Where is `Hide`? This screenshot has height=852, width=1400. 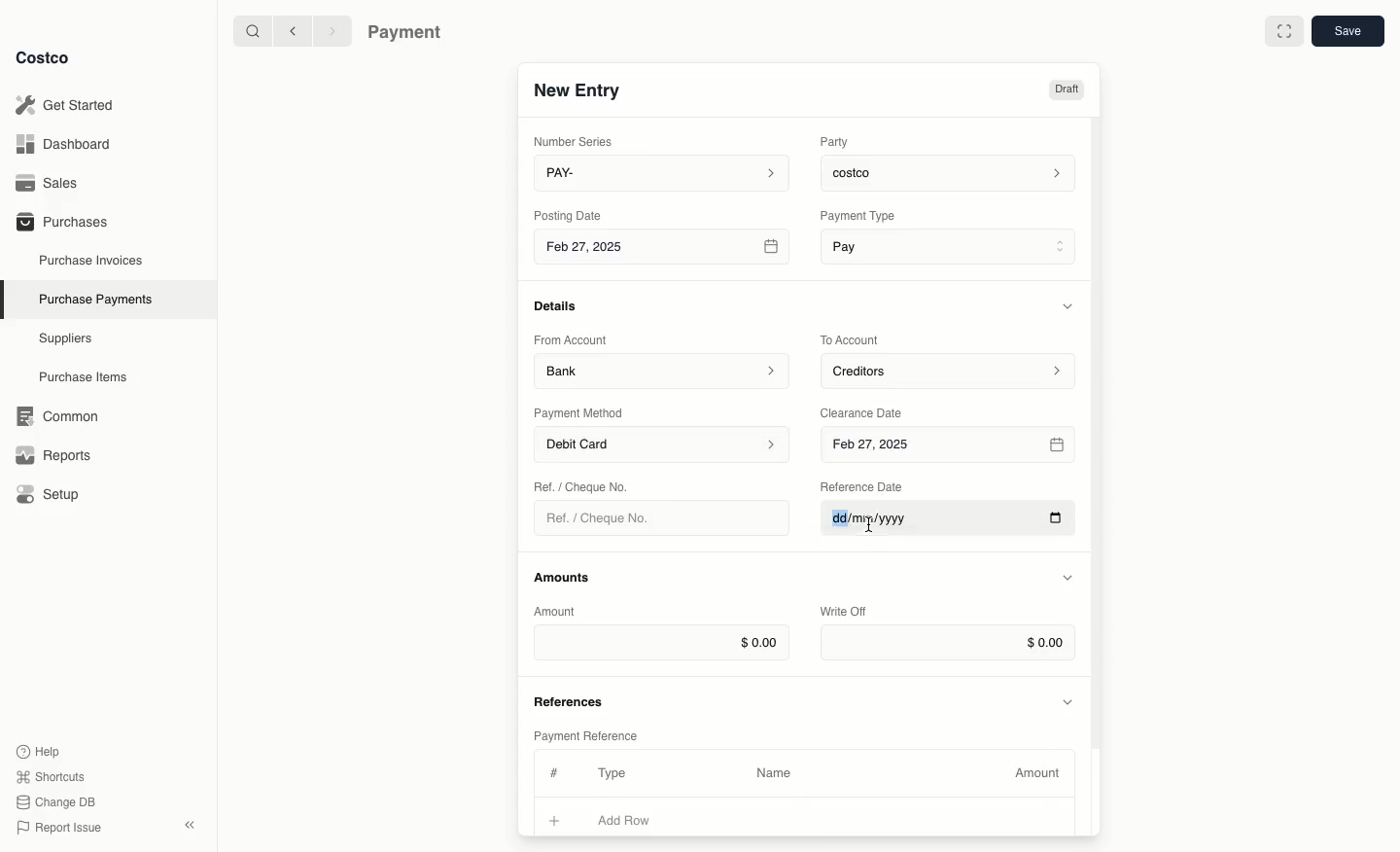 Hide is located at coordinates (1070, 305).